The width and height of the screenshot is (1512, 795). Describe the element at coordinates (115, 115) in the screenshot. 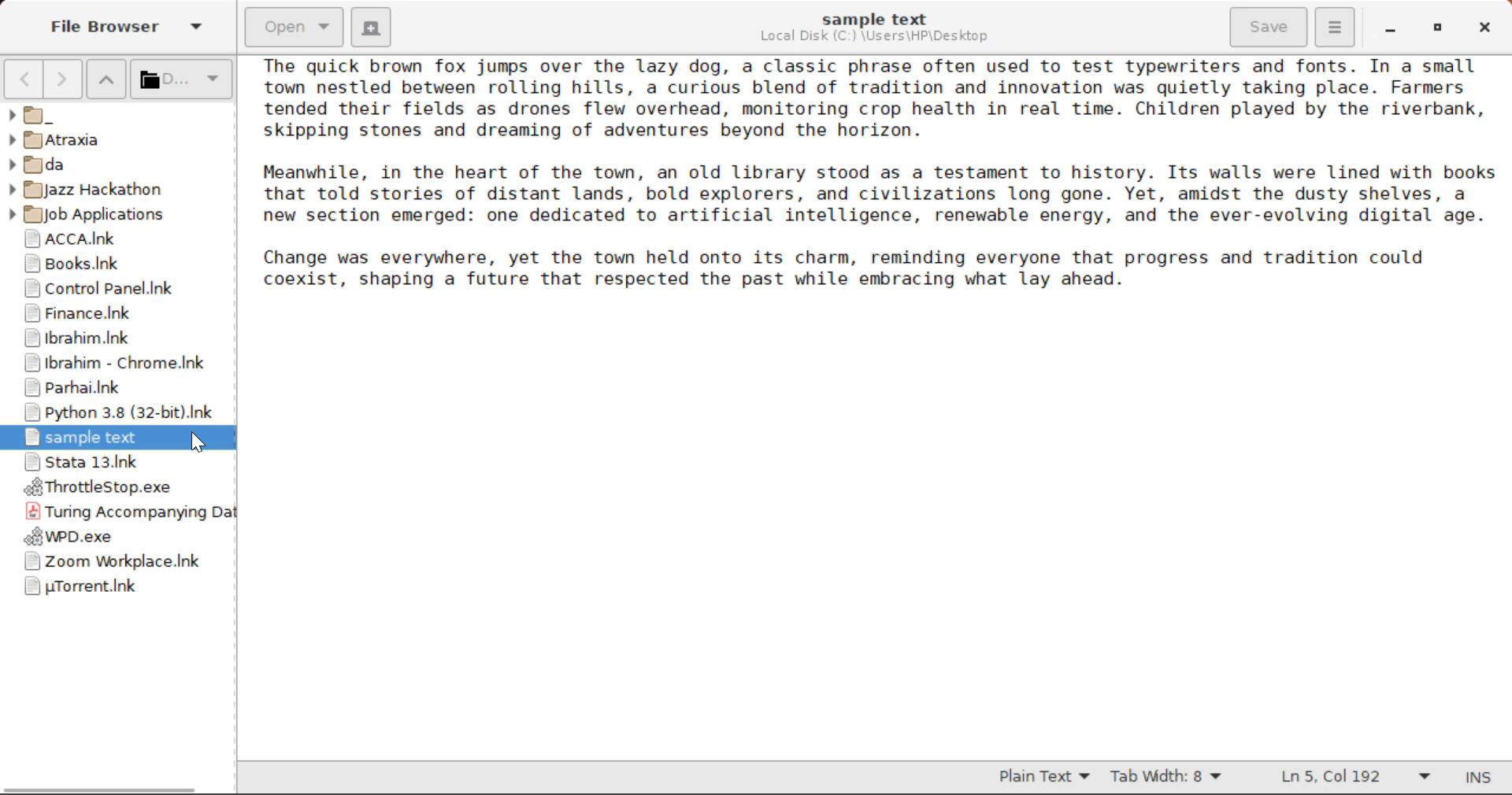

I see `_ Folder` at that location.